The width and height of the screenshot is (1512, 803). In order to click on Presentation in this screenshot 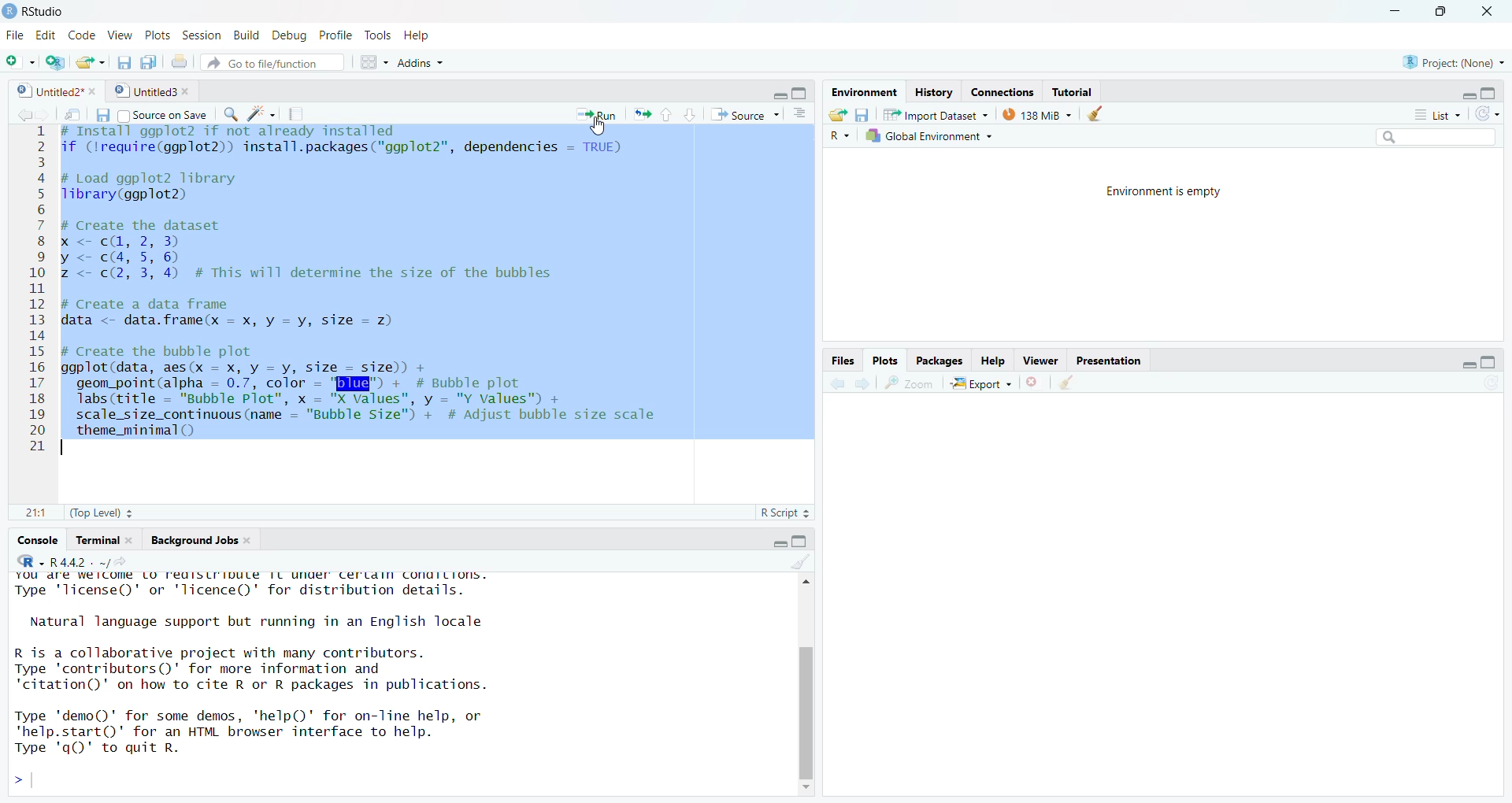, I will do `click(1110, 361)`.